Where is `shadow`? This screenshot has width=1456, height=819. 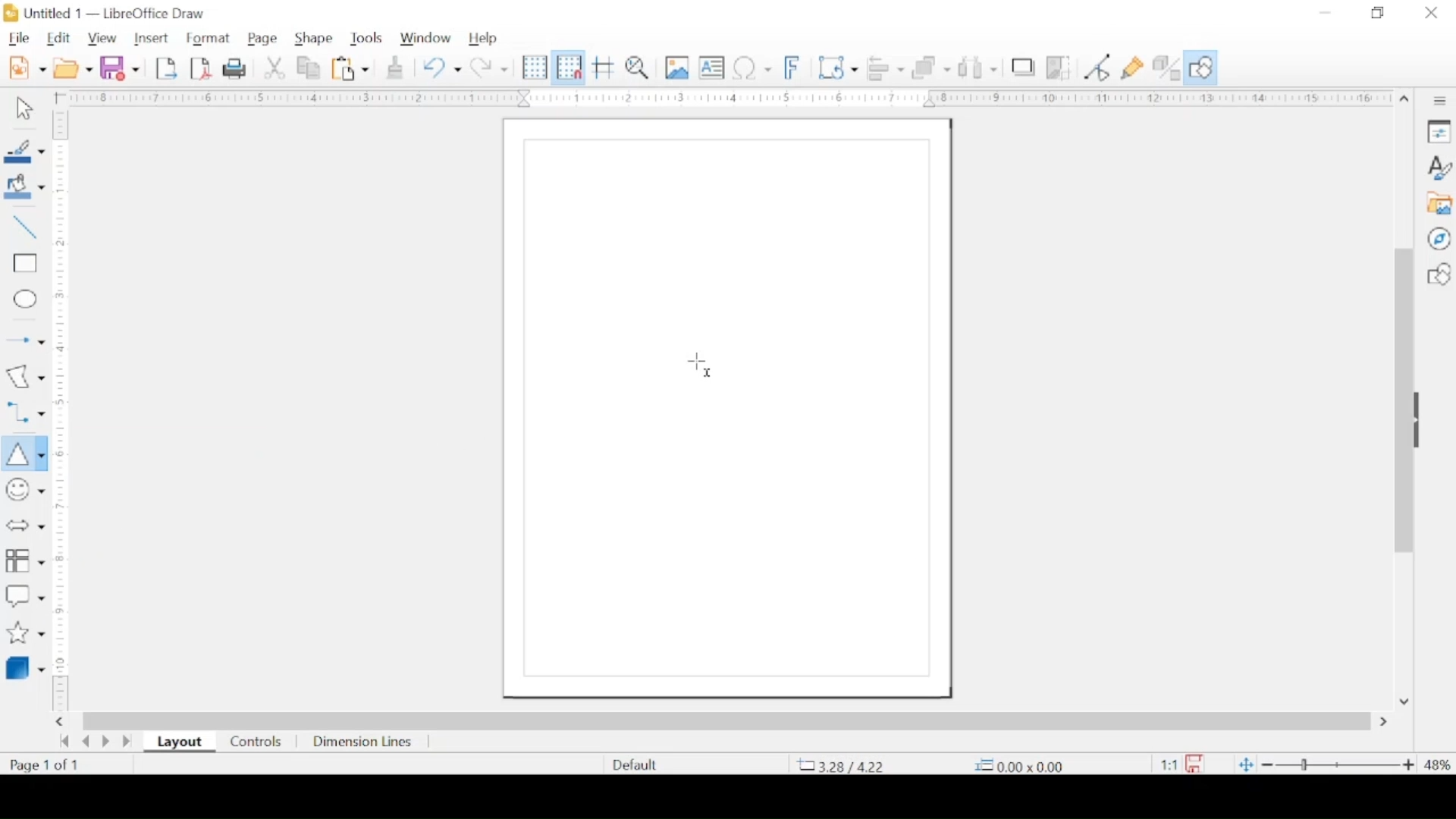
shadow is located at coordinates (1025, 67).